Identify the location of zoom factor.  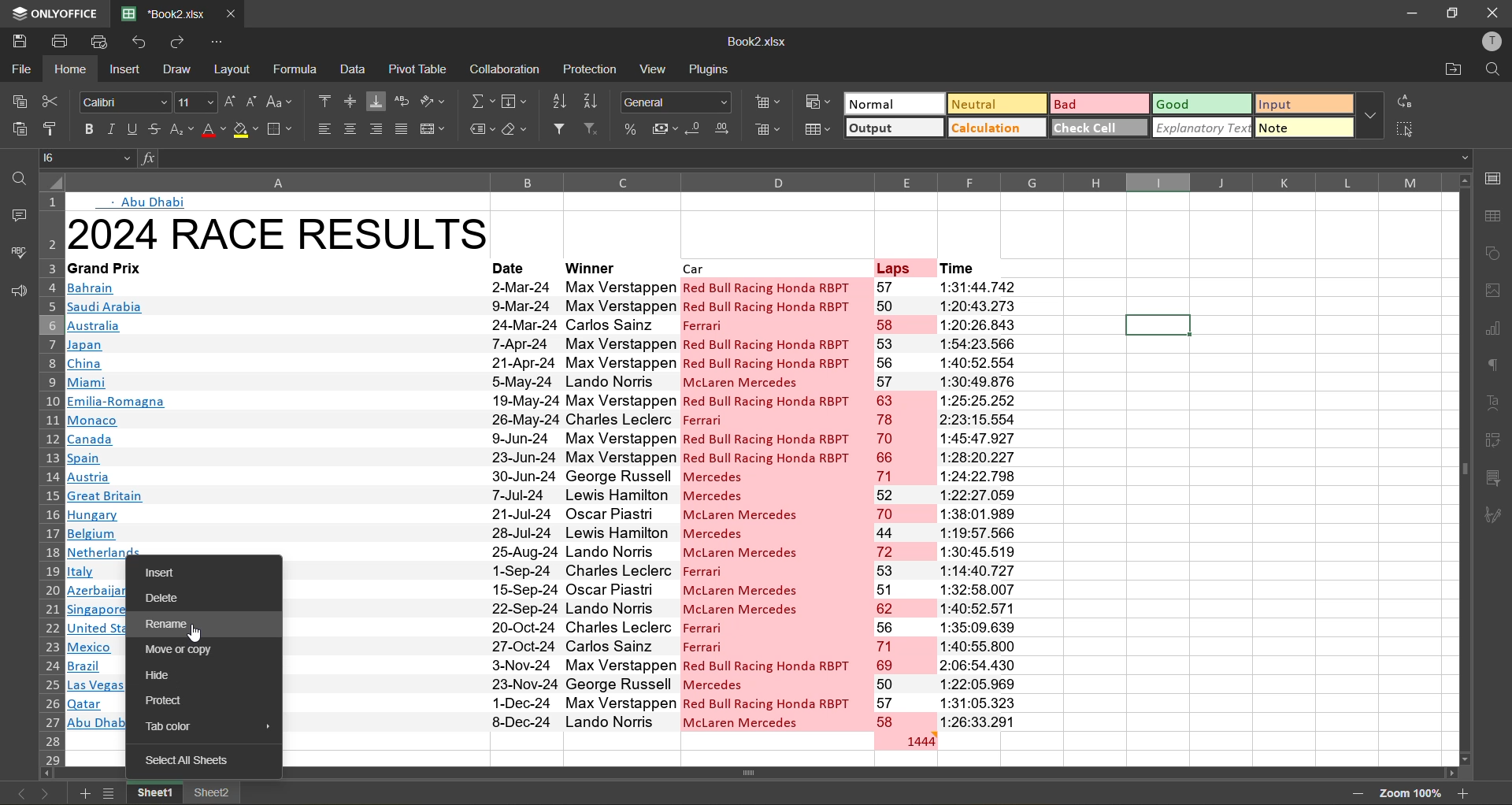
(1409, 793).